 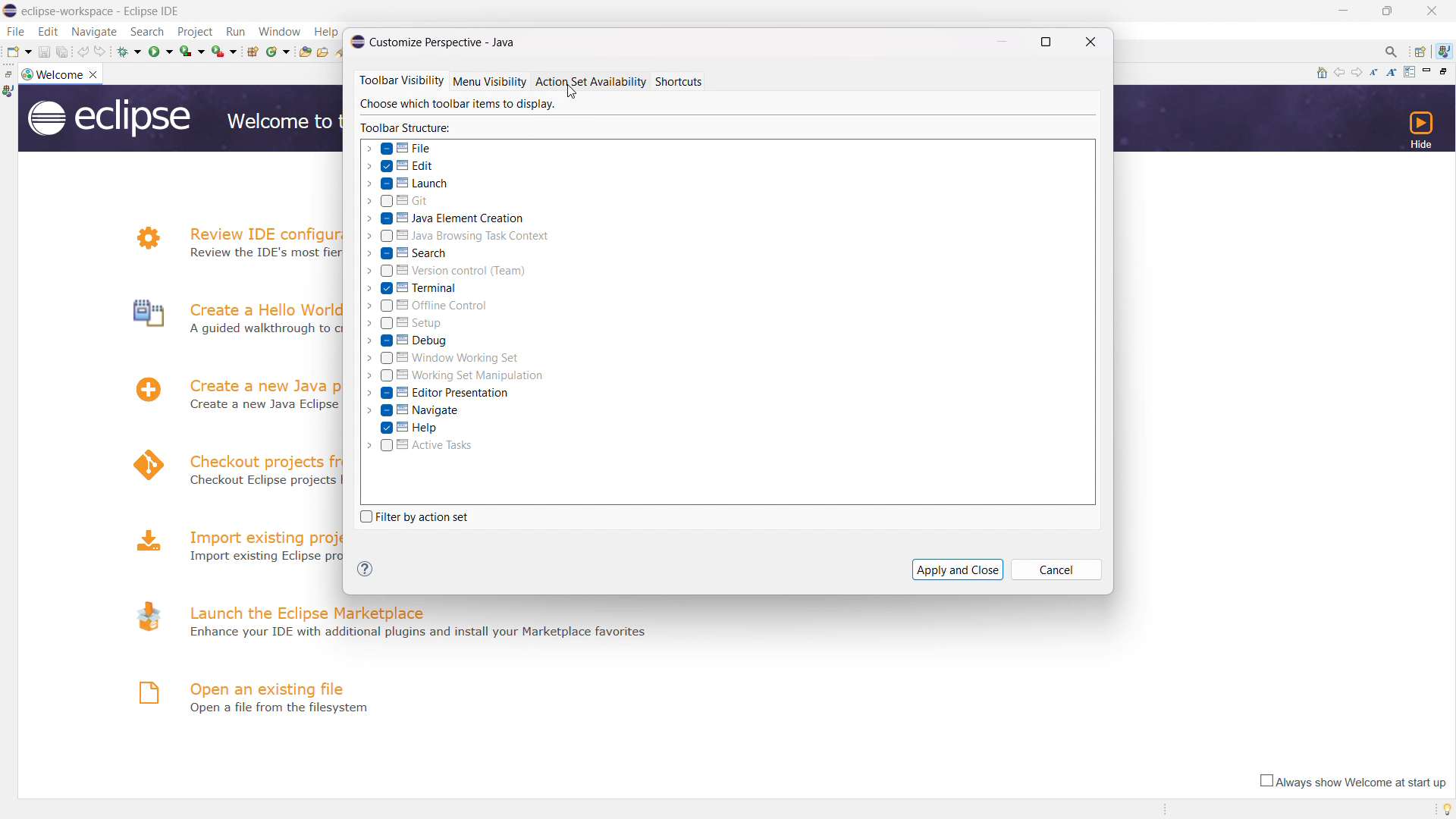 What do you see at coordinates (268, 688) in the screenshot?
I see `open an existing file` at bounding box center [268, 688].